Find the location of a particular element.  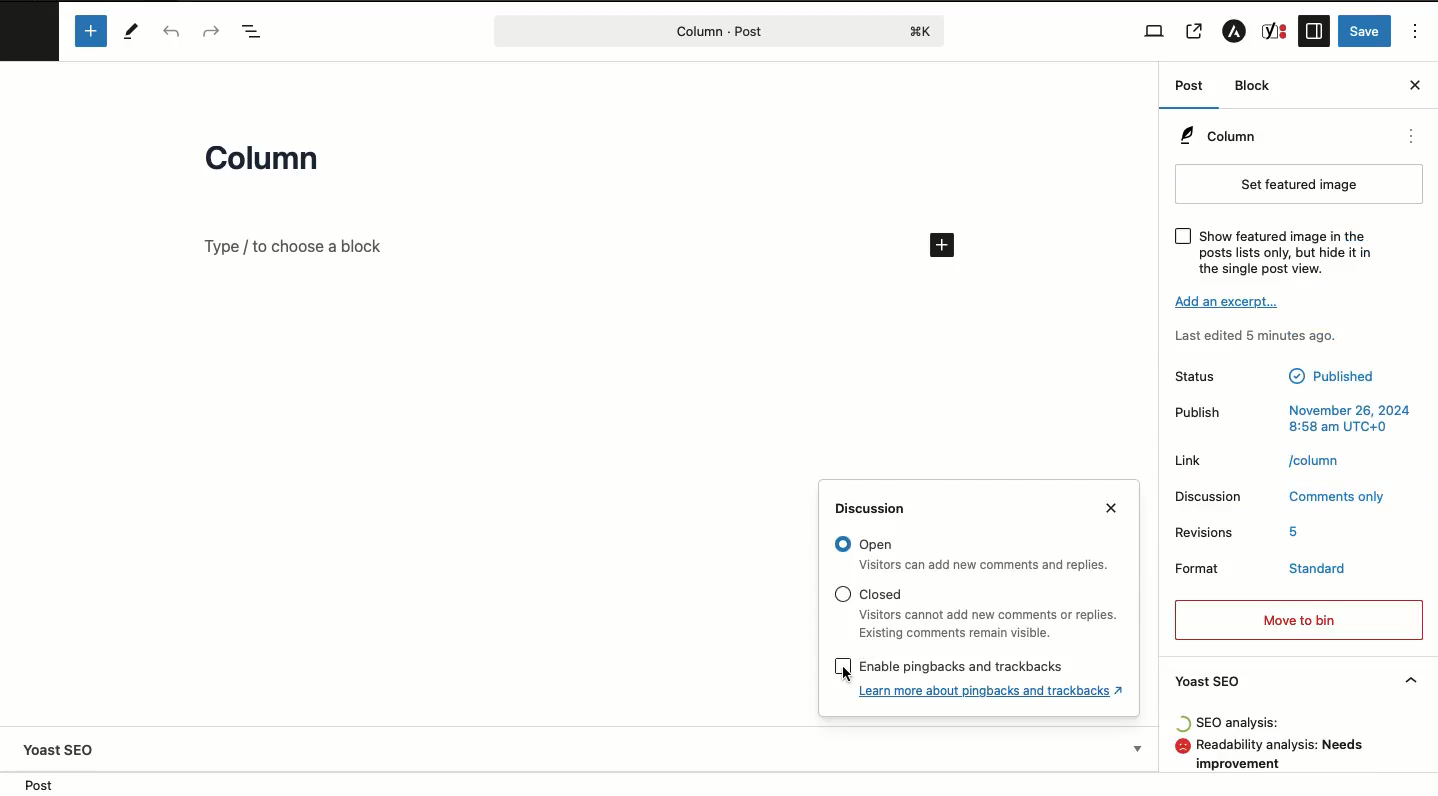

text is located at coordinates (1330, 375).